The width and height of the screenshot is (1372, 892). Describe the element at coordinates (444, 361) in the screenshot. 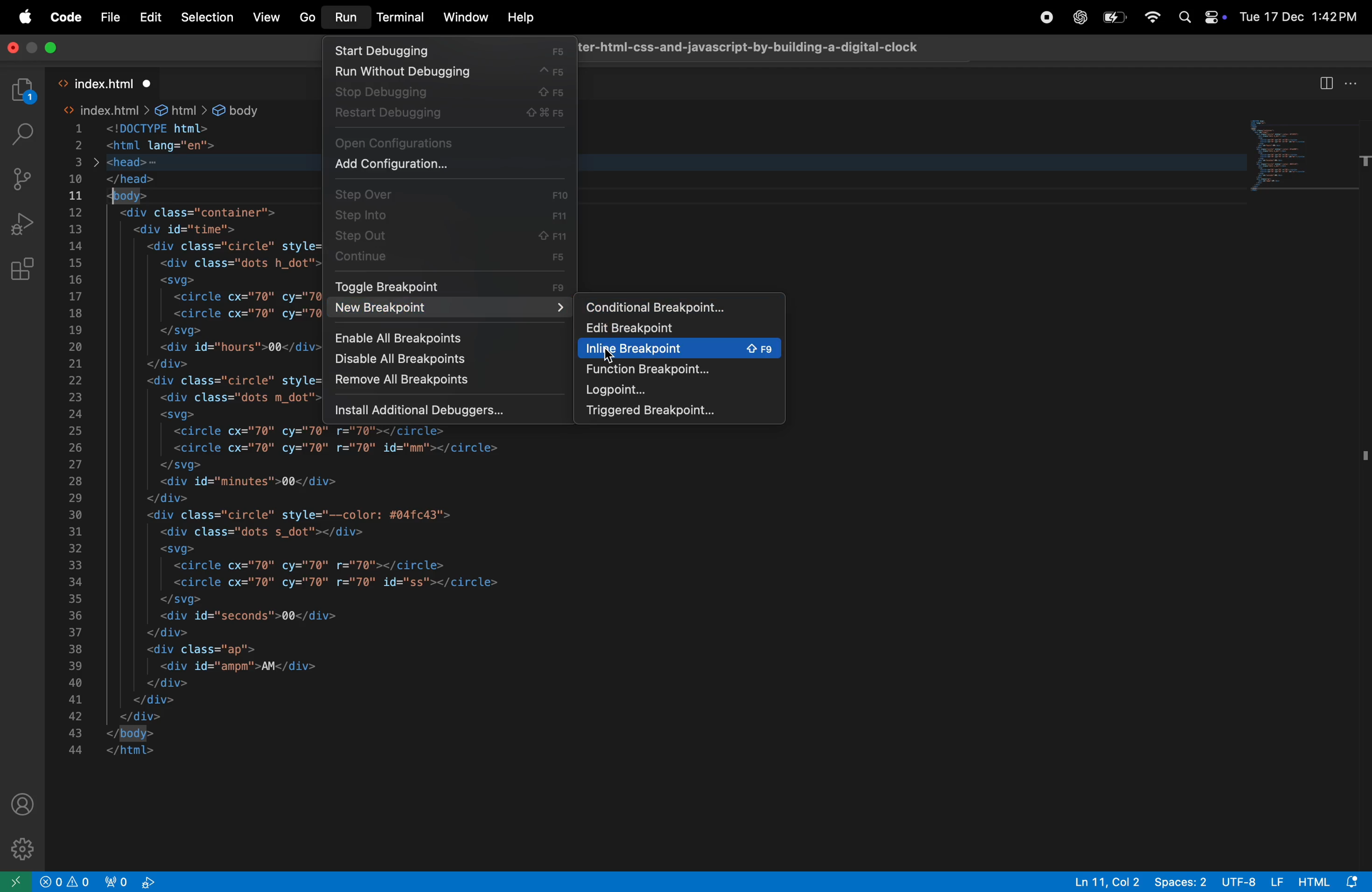

I see `disable all breakpoints` at that location.